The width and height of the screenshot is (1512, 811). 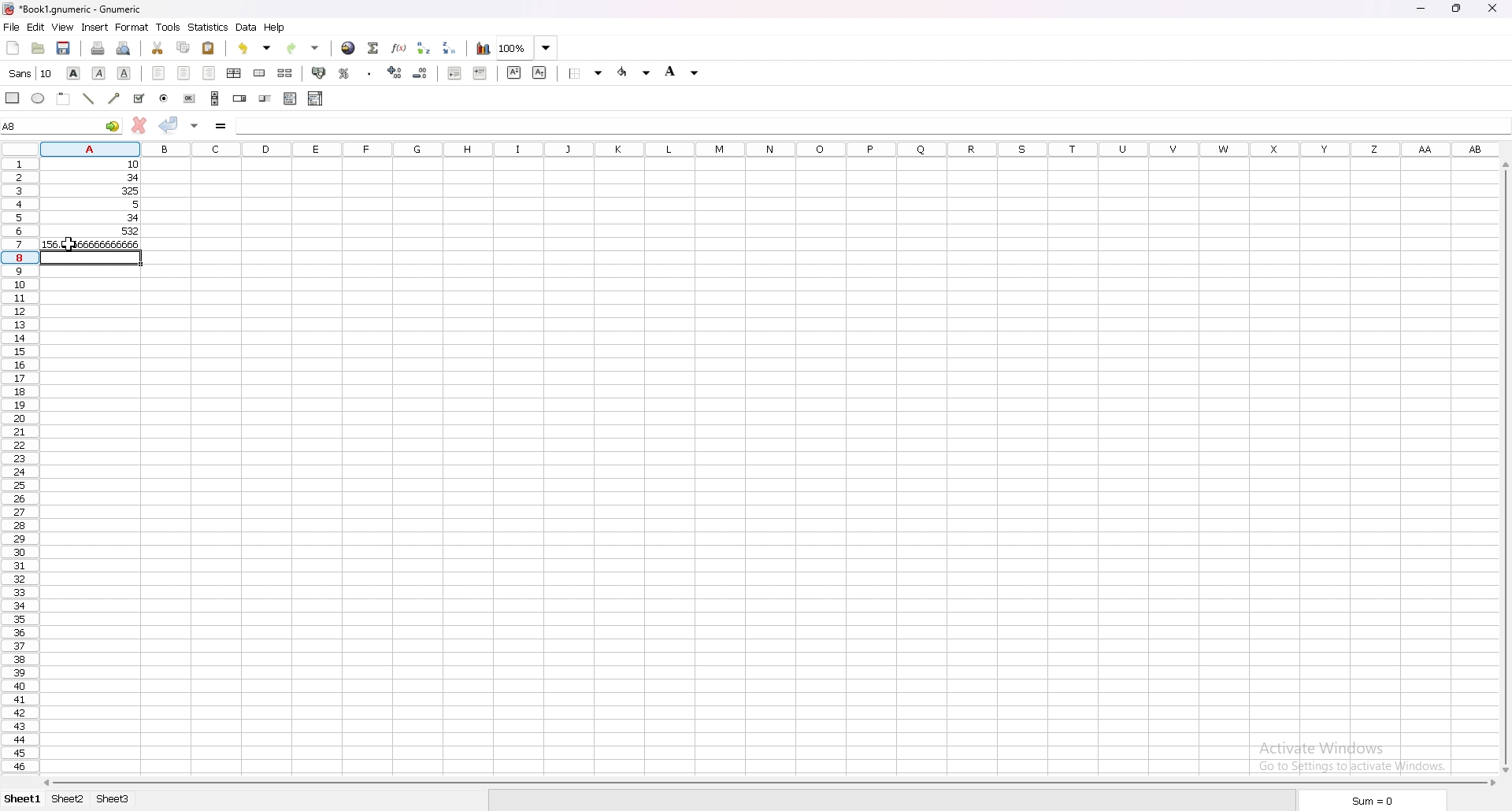 What do you see at coordinates (139, 98) in the screenshot?
I see `tickbox` at bounding box center [139, 98].